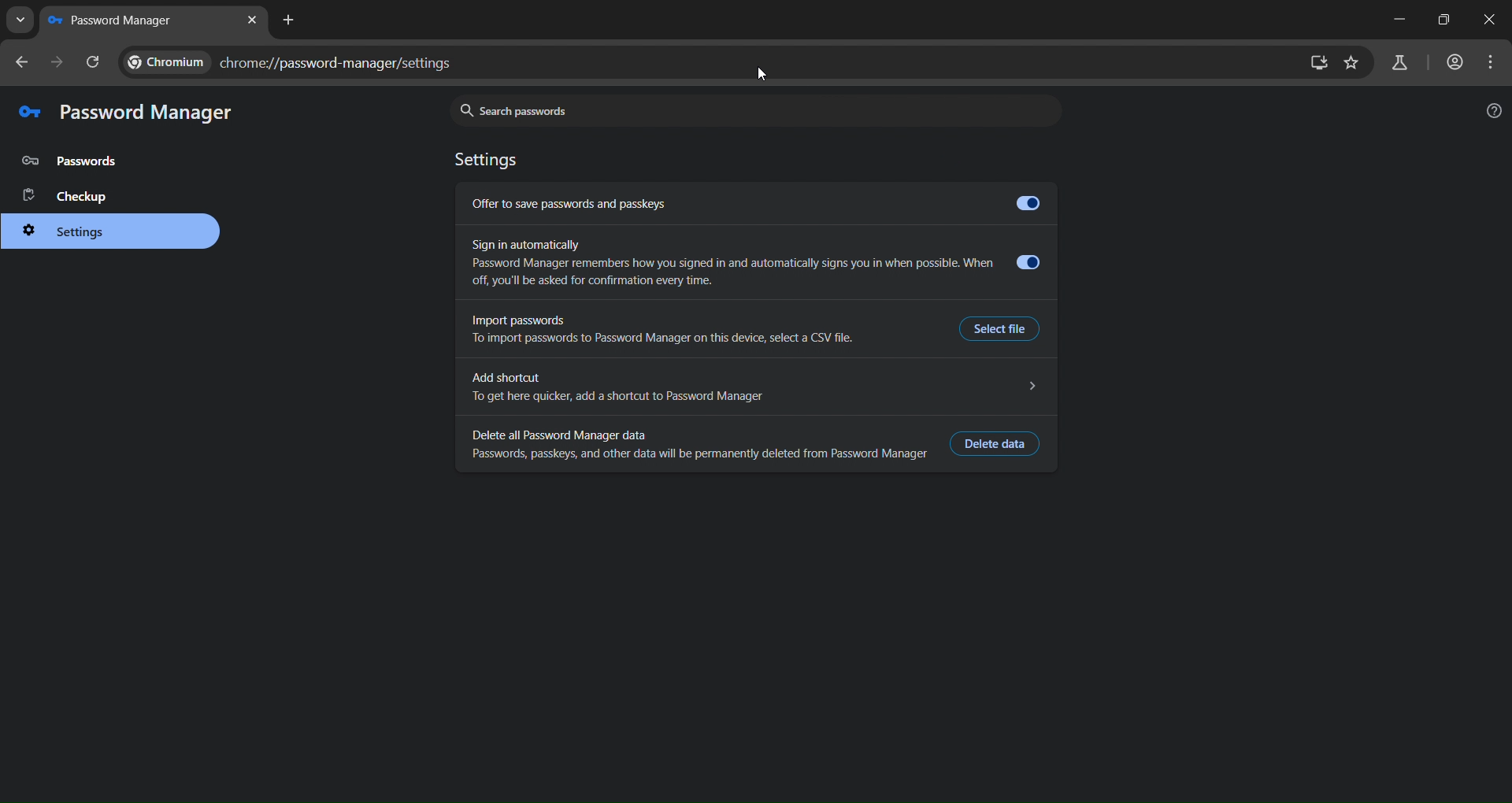  Describe the element at coordinates (102, 196) in the screenshot. I see `checkup` at that location.